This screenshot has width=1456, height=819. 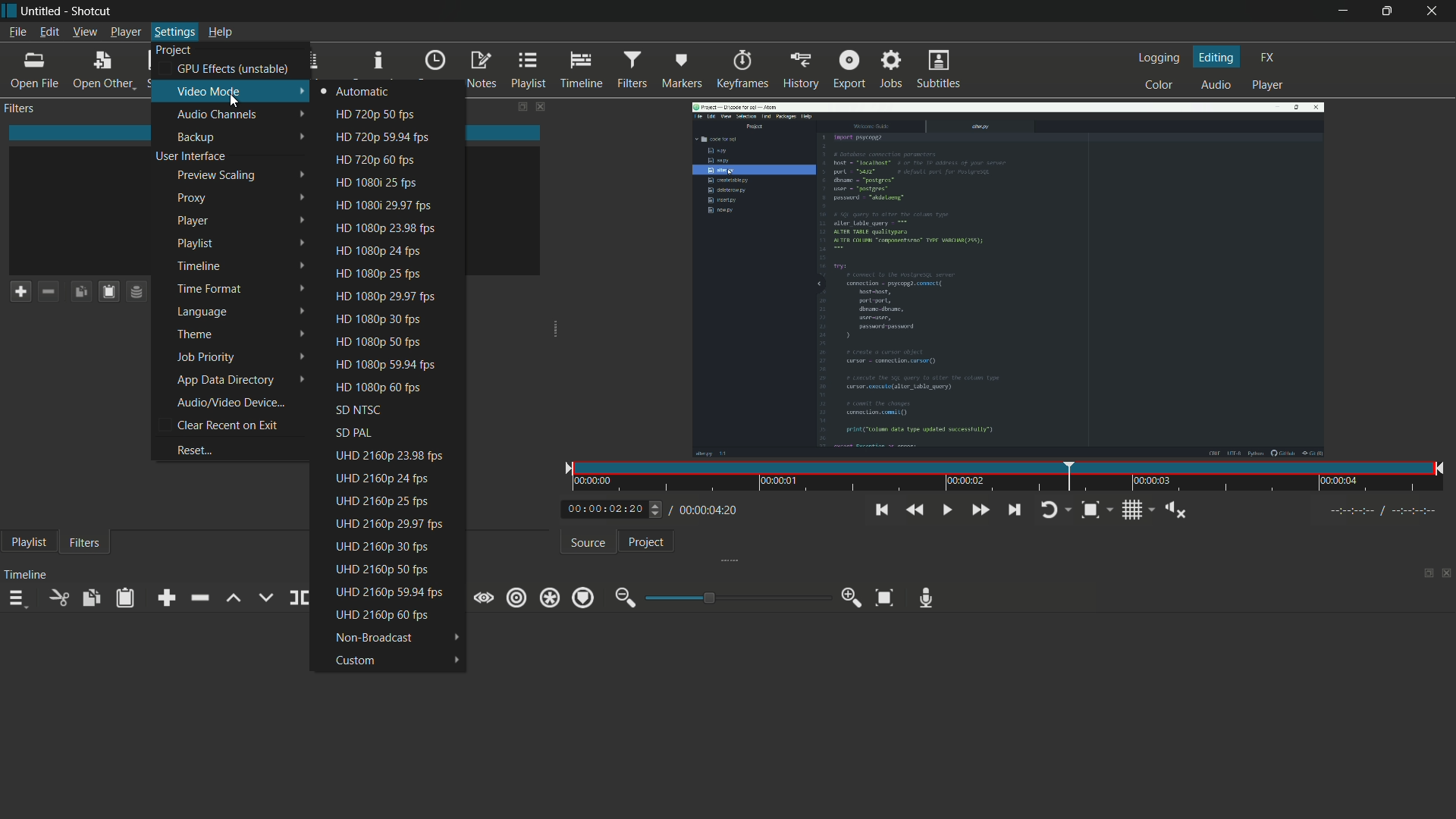 What do you see at coordinates (221, 33) in the screenshot?
I see `help menu` at bounding box center [221, 33].